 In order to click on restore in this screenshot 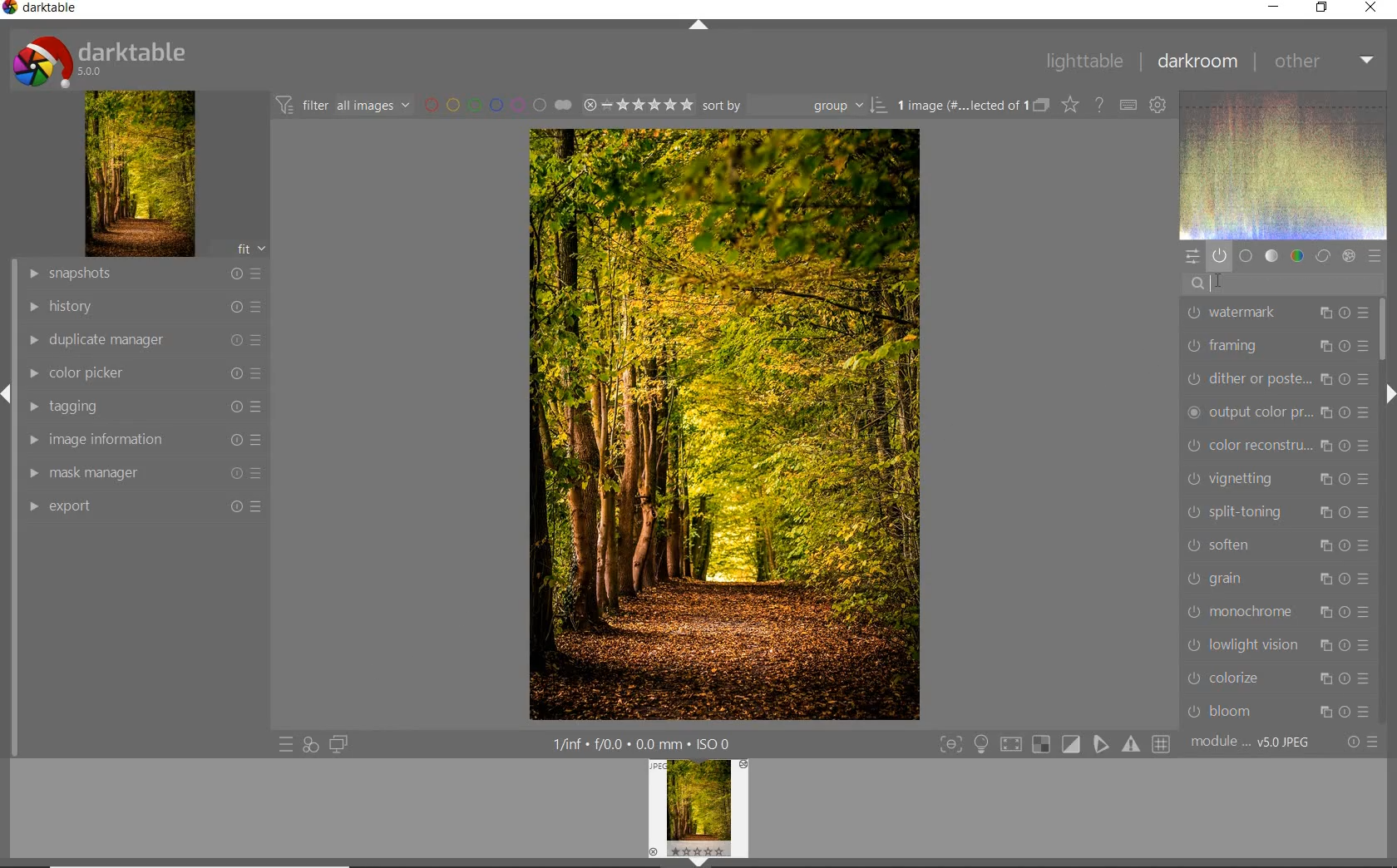, I will do `click(1320, 9)`.